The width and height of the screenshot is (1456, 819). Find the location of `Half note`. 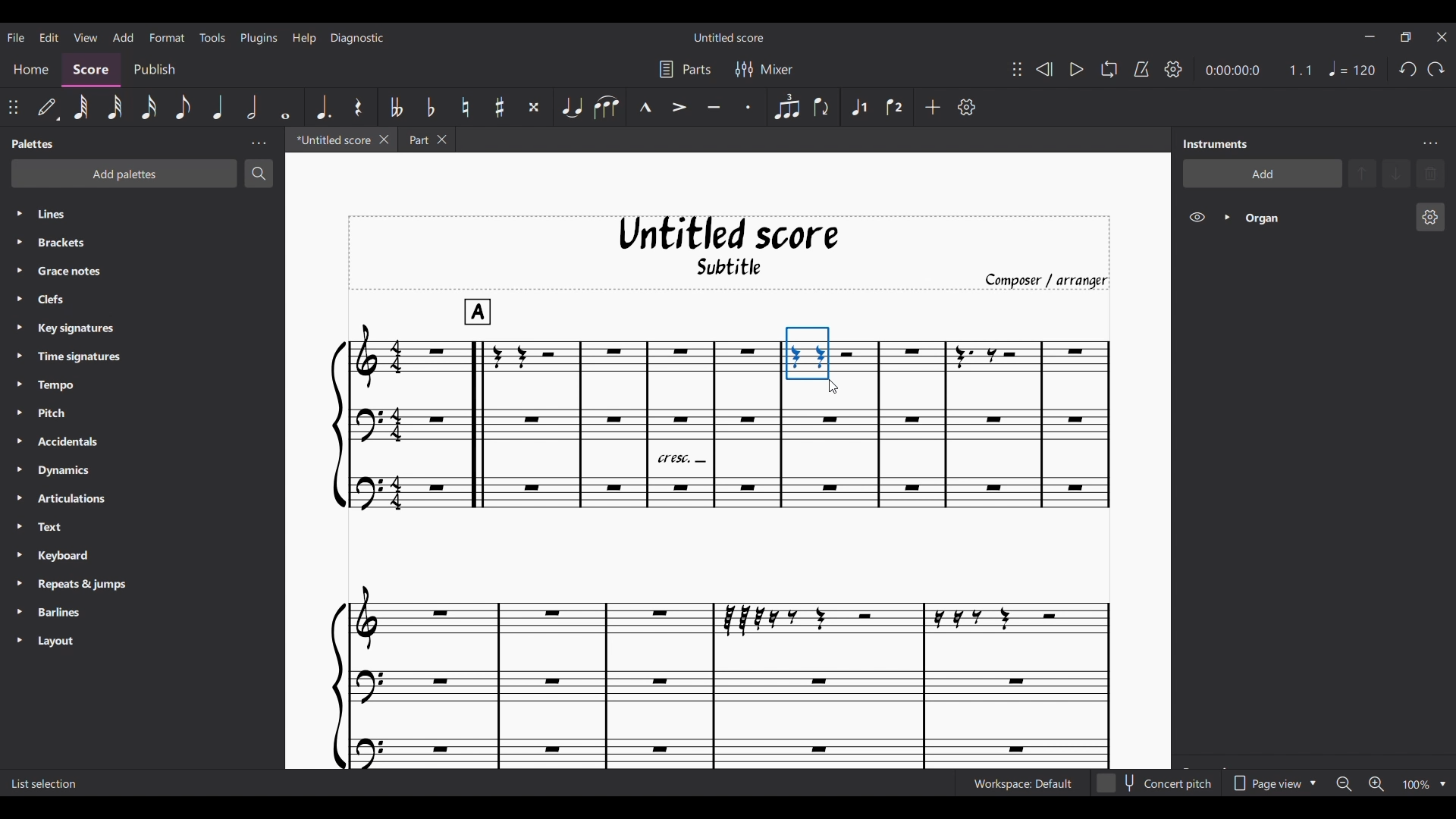

Half note is located at coordinates (251, 106).